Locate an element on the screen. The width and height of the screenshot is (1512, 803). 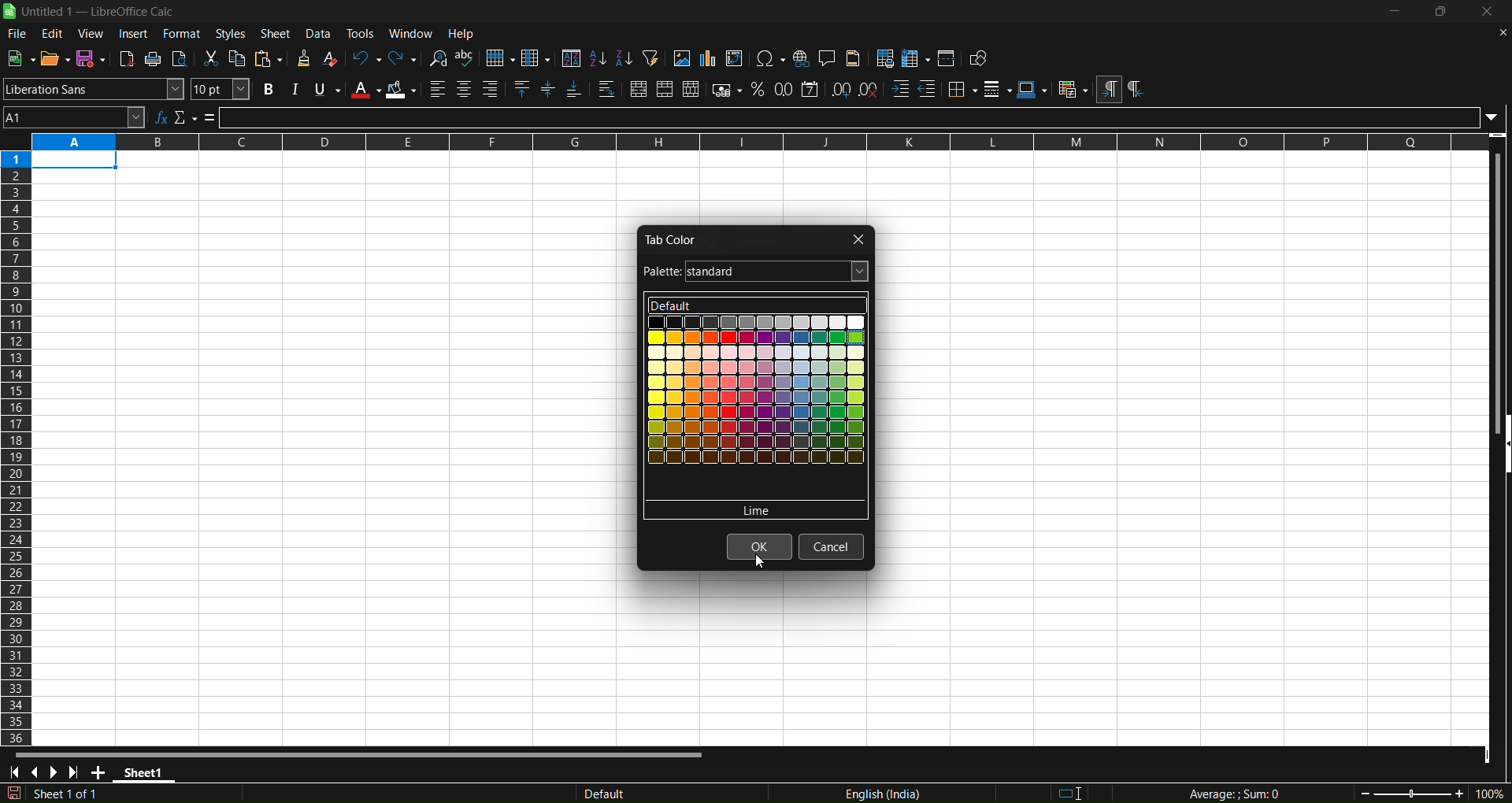
sort descending is located at coordinates (624, 60).